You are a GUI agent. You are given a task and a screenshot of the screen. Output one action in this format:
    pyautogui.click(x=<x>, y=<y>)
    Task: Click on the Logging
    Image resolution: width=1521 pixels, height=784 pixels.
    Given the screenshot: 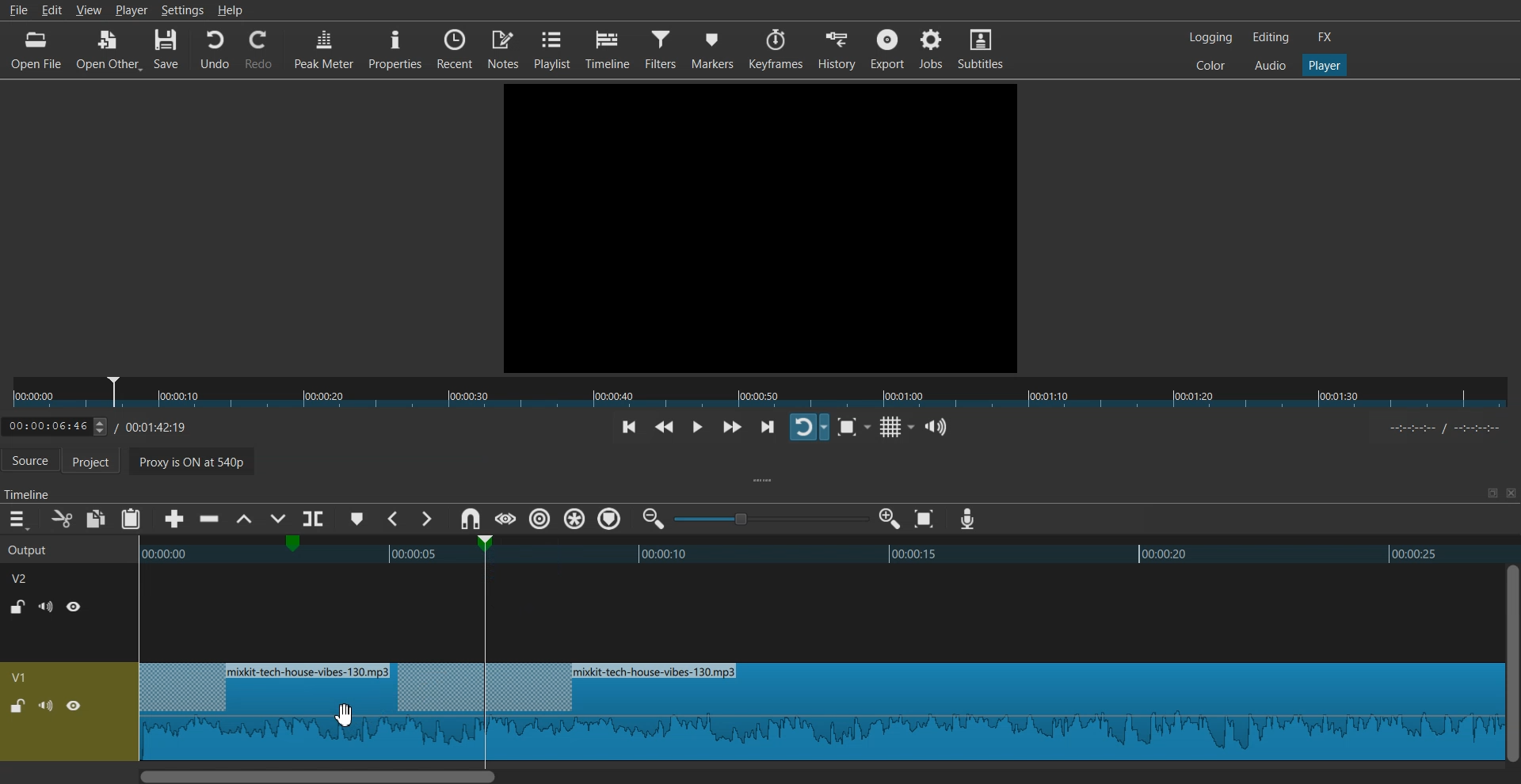 What is the action you would take?
    pyautogui.click(x=1211, y=37)
    